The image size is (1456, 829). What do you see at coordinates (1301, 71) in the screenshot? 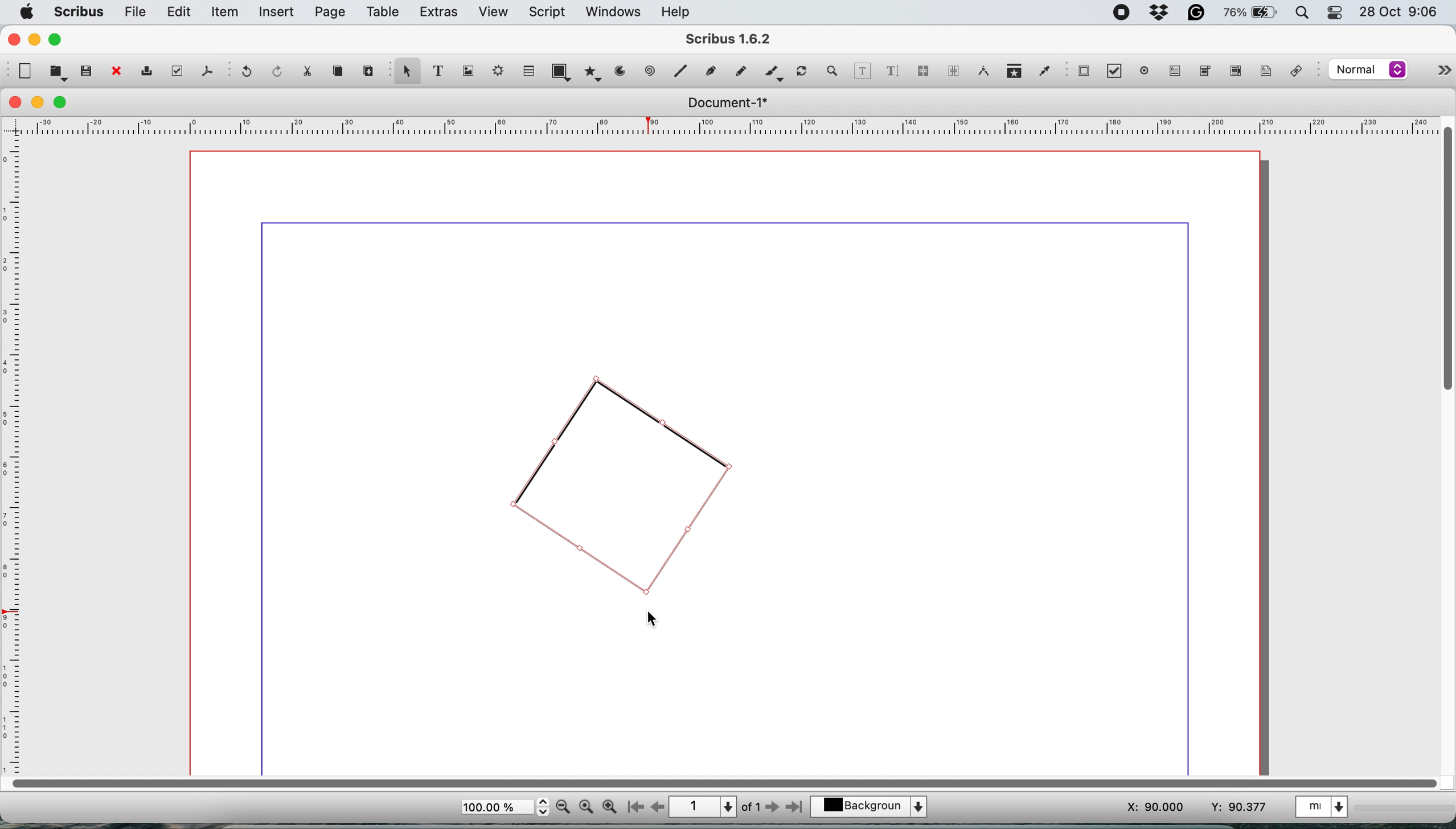
I see `link annotation` at bounding box center [1301, 71].